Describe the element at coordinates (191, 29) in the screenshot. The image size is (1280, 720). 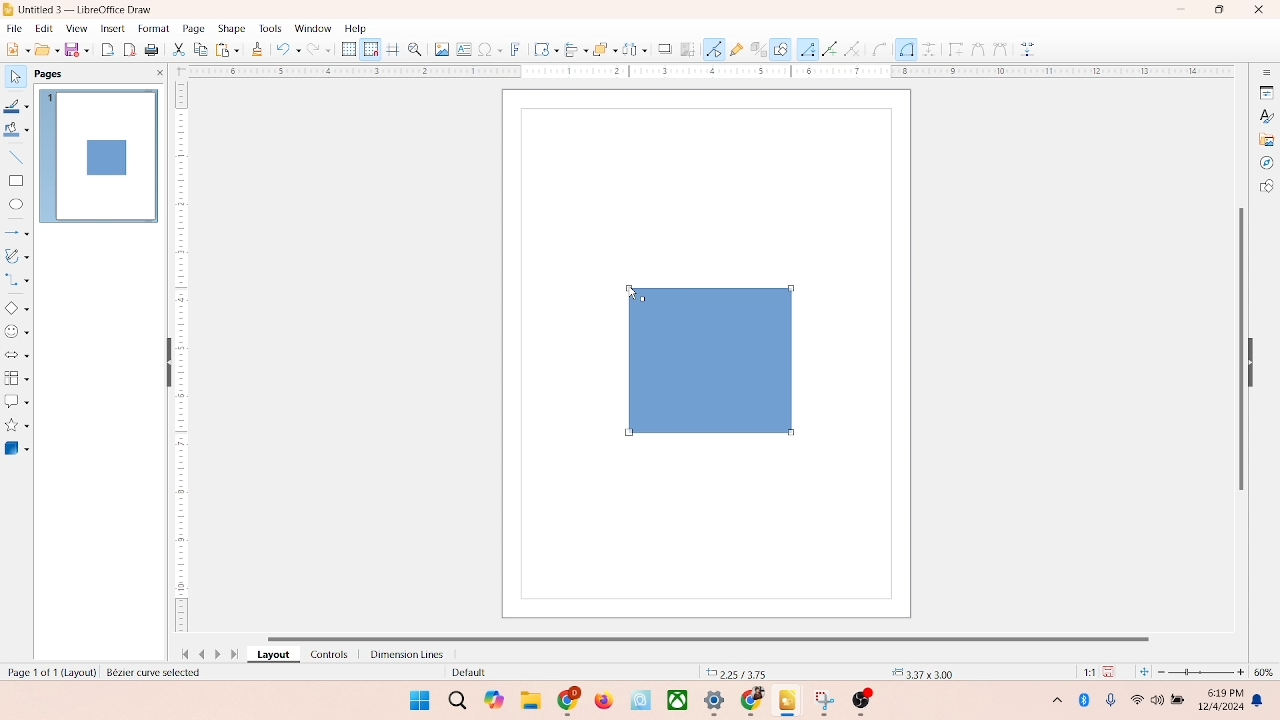
I see `page` at that location.